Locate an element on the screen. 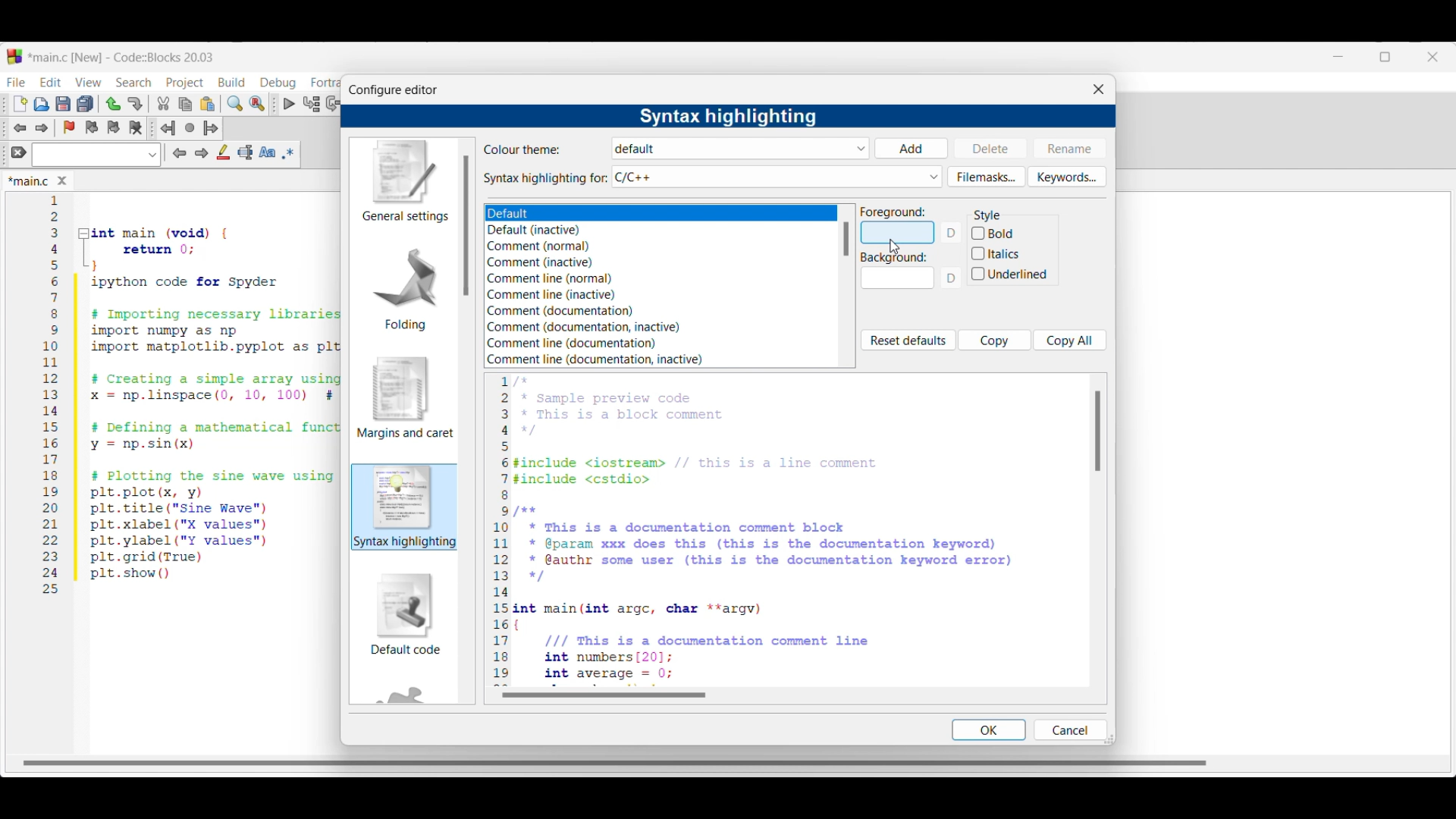  Toggle bookmarks is located at coordinates (69, 127).